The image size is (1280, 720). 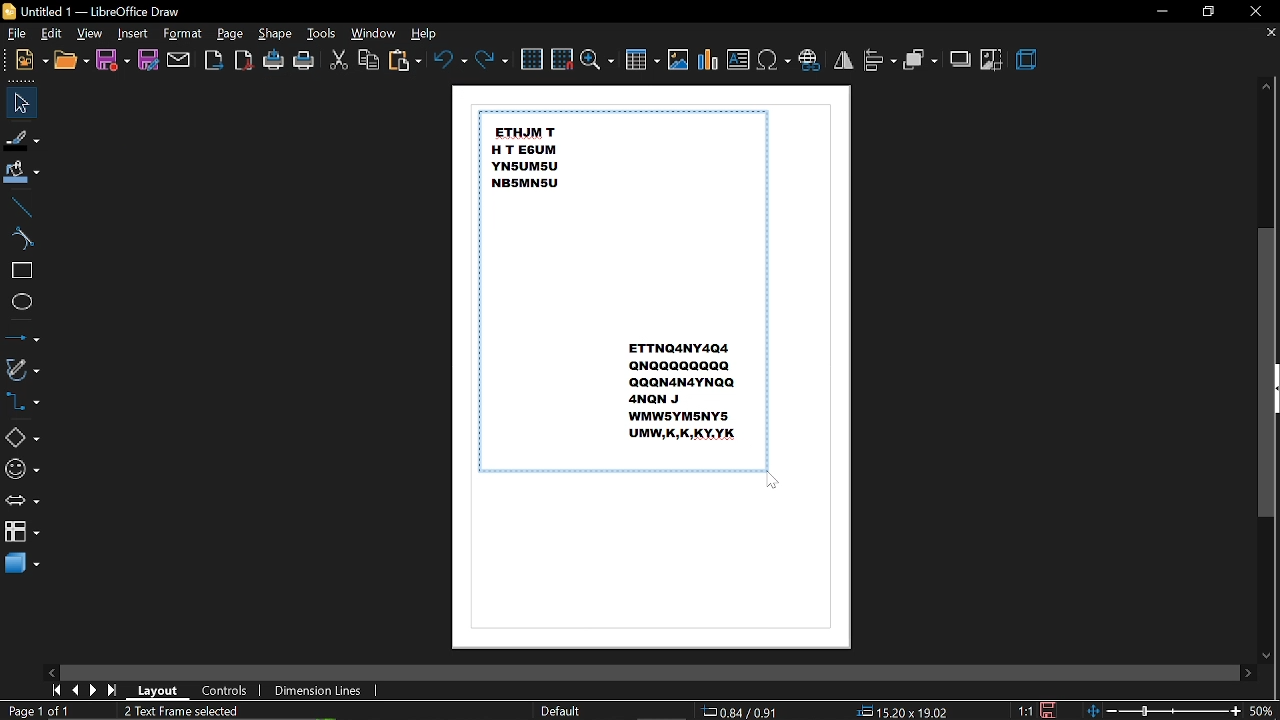 What do you see at coordinates (708, 60) in the screenshot?
I see `insert chart` at bounding box center [708, 60].